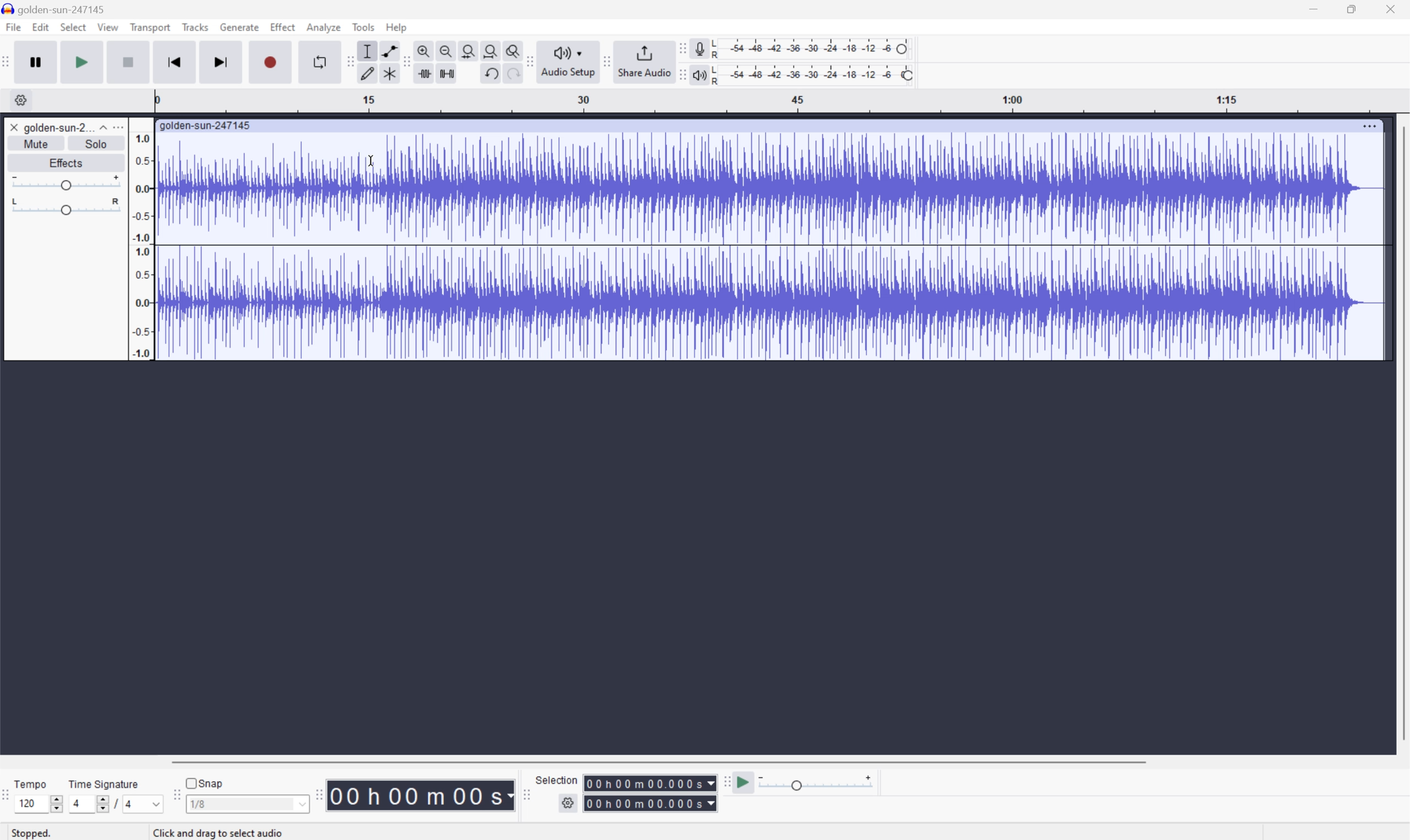 Image resolution: width=1410 pixels, height=840 pixels. What do you see at coordinates (445, 49) in the screenshot?
I see `Zoom out` at bounding box center [445, 49].